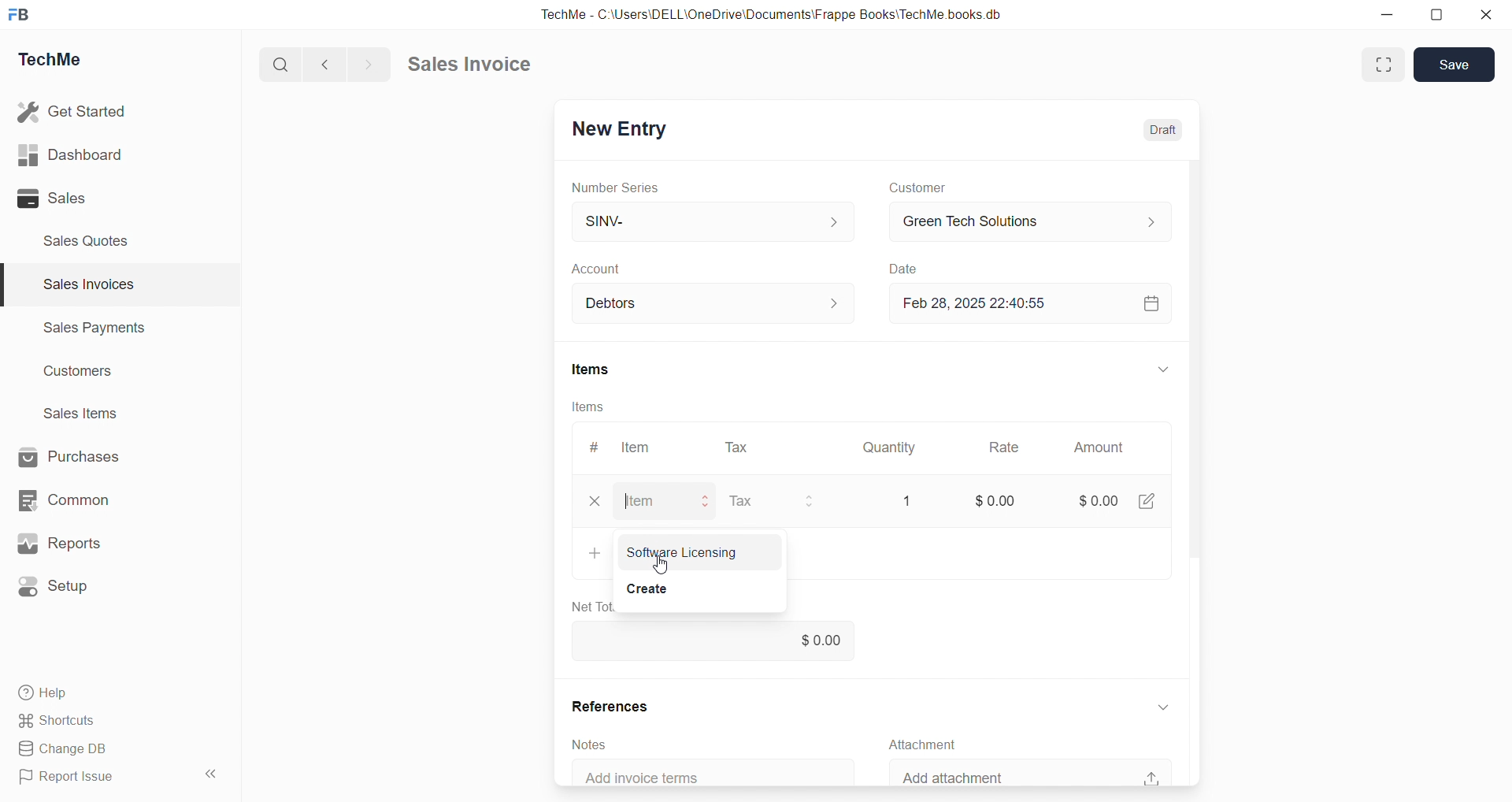 The height and width of the screenshot is (802, 1512). I want to click on Sales invoice, so click(468, 63).